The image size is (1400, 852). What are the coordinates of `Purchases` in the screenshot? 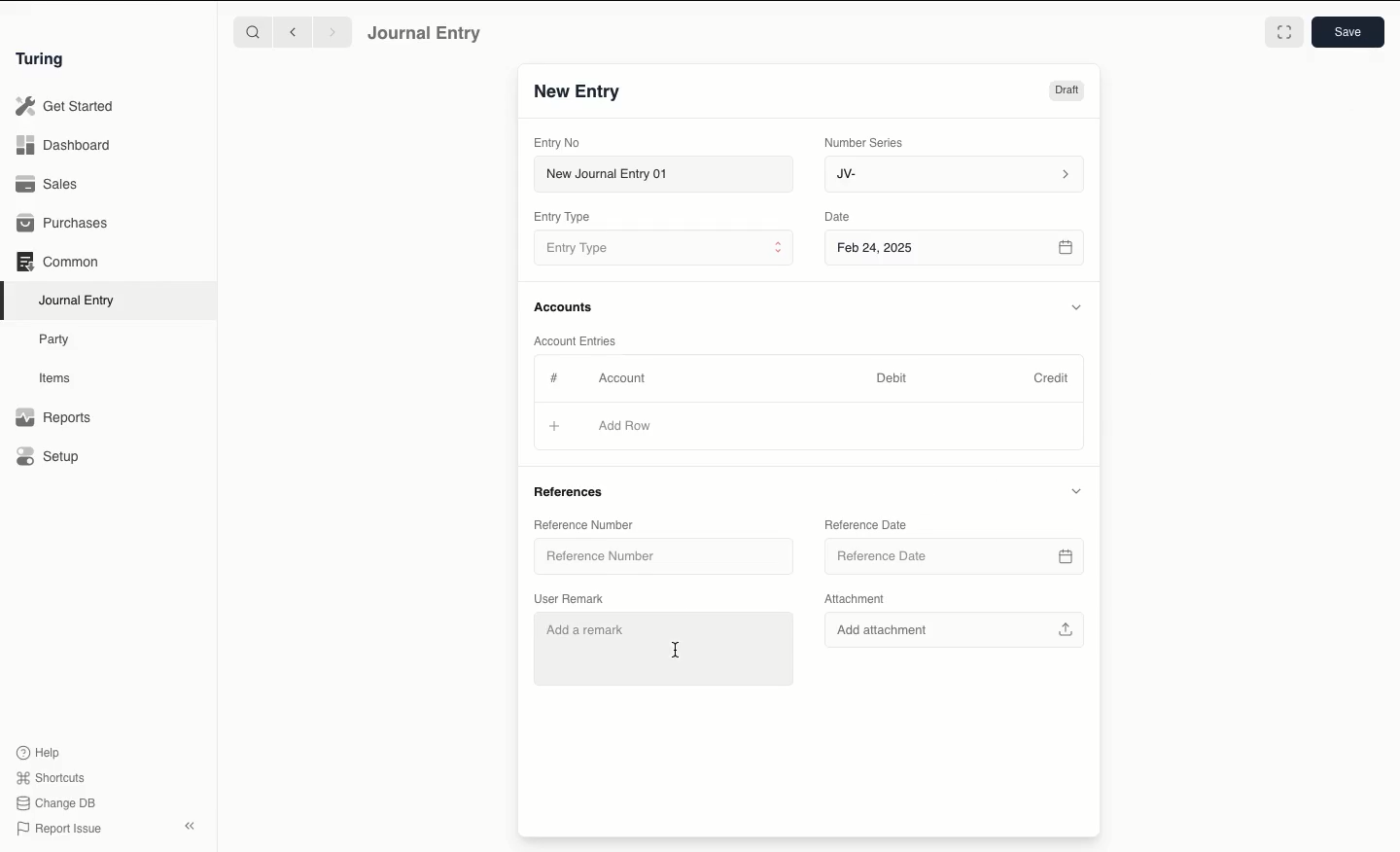 It's located at (63, 225).